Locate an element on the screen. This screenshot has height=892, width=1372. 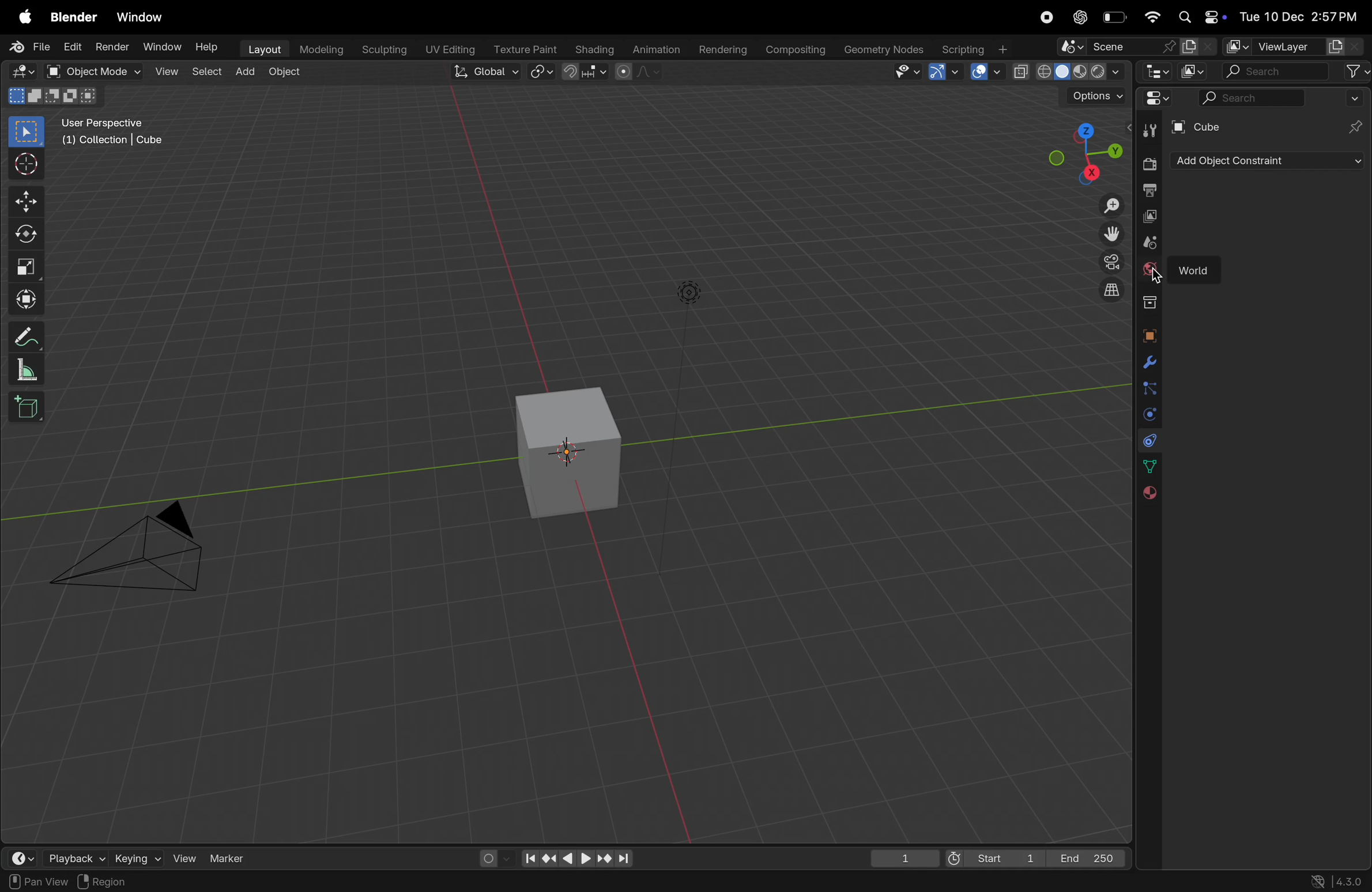
selective is located at coordinates (27, 131).